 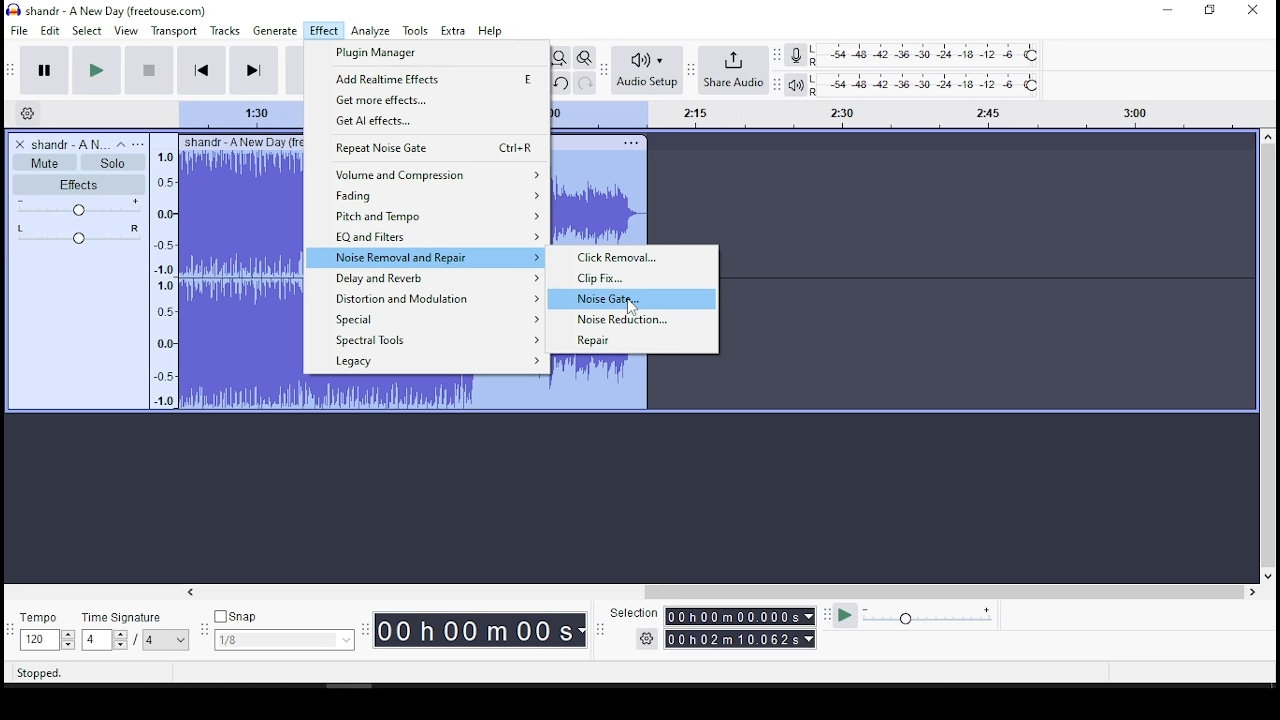 What do you see at coordinates (427, 340) in the screenshot?
I see `spectral tools` at bounding box center [427, 340].